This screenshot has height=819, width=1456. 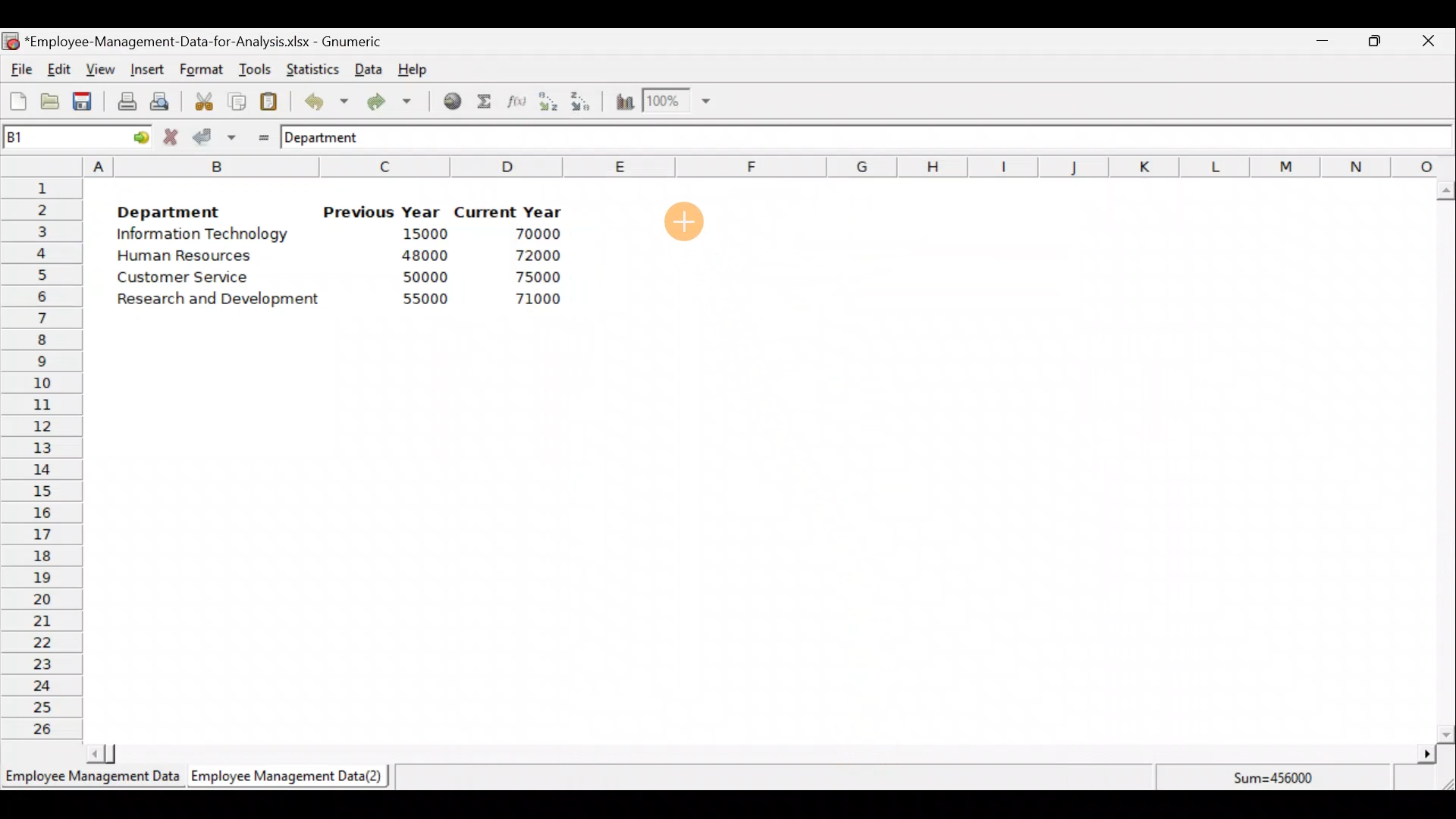 What do you see at coordinates (127, 101) in the screenshot?
I see `Print current file` at bounding box center [127, 101].